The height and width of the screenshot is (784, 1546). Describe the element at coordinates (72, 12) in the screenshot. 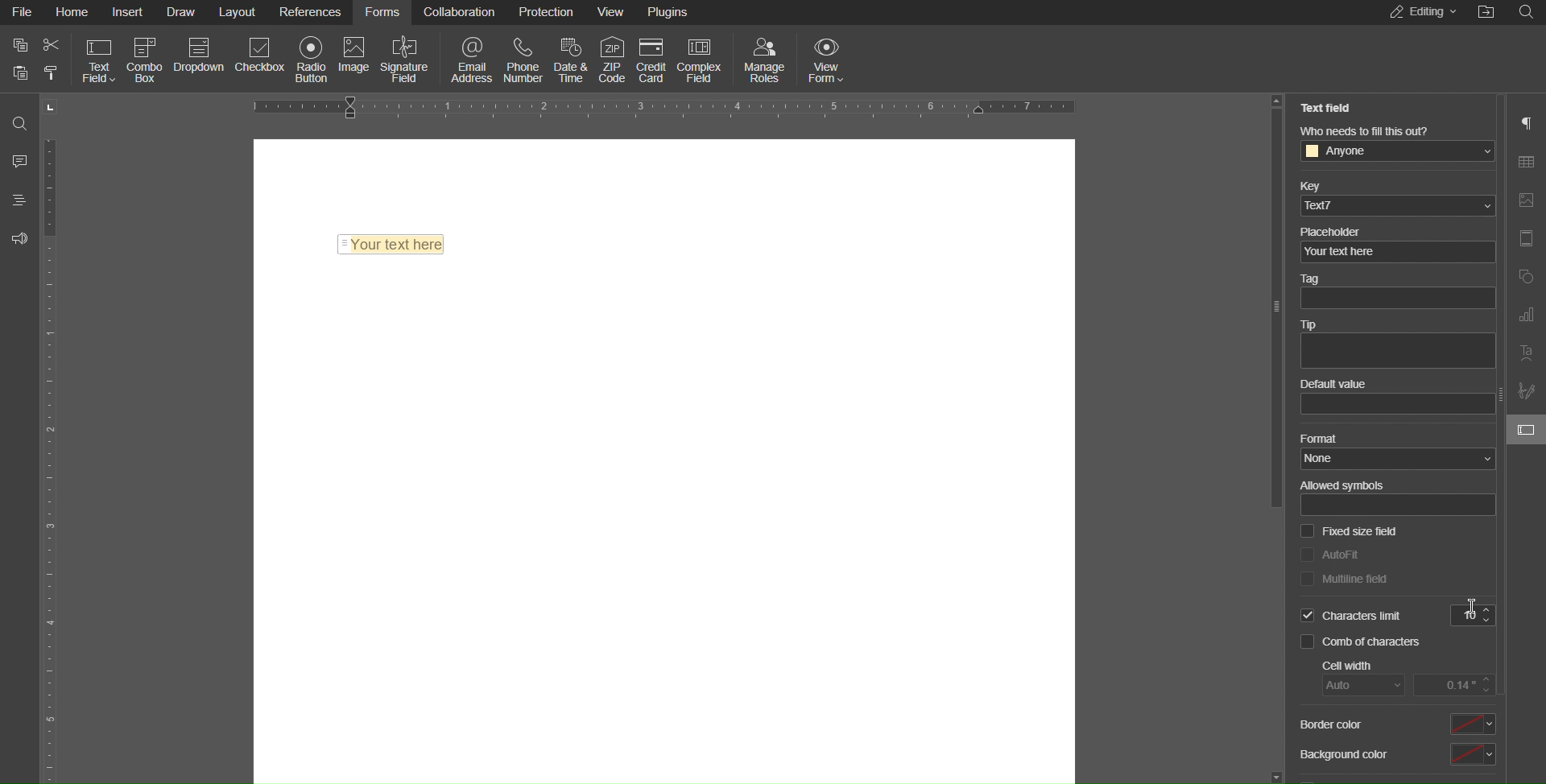

I see `Home` at that location.